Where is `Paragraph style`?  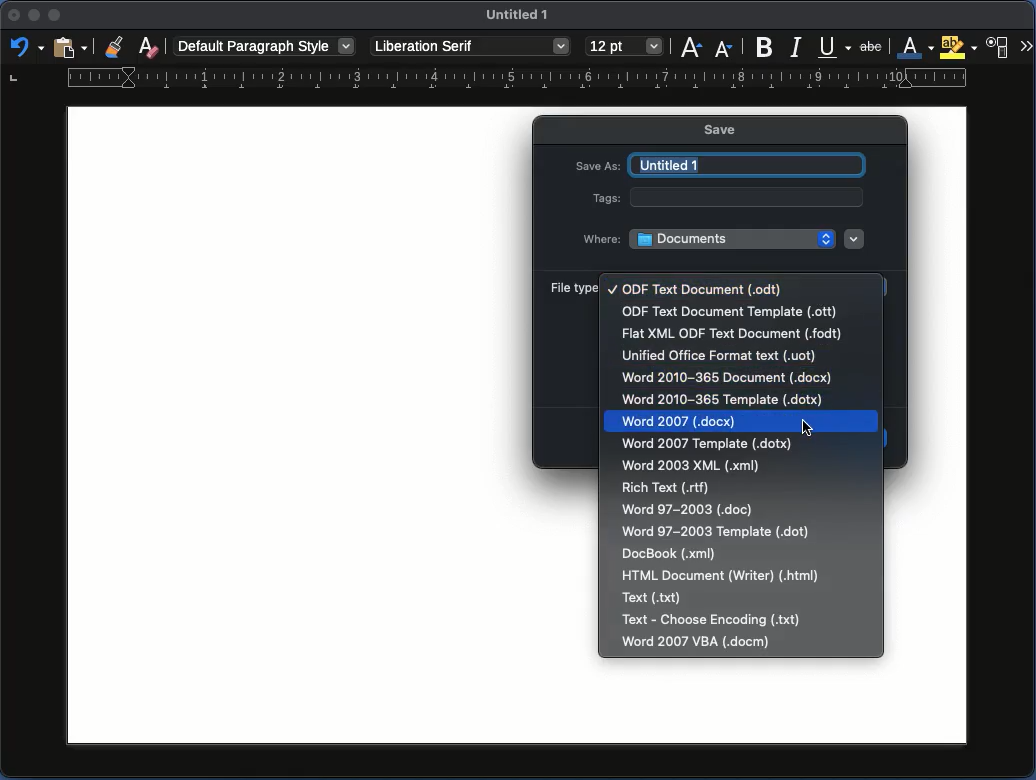
Paragraph style is located at coordinates (265, 45).